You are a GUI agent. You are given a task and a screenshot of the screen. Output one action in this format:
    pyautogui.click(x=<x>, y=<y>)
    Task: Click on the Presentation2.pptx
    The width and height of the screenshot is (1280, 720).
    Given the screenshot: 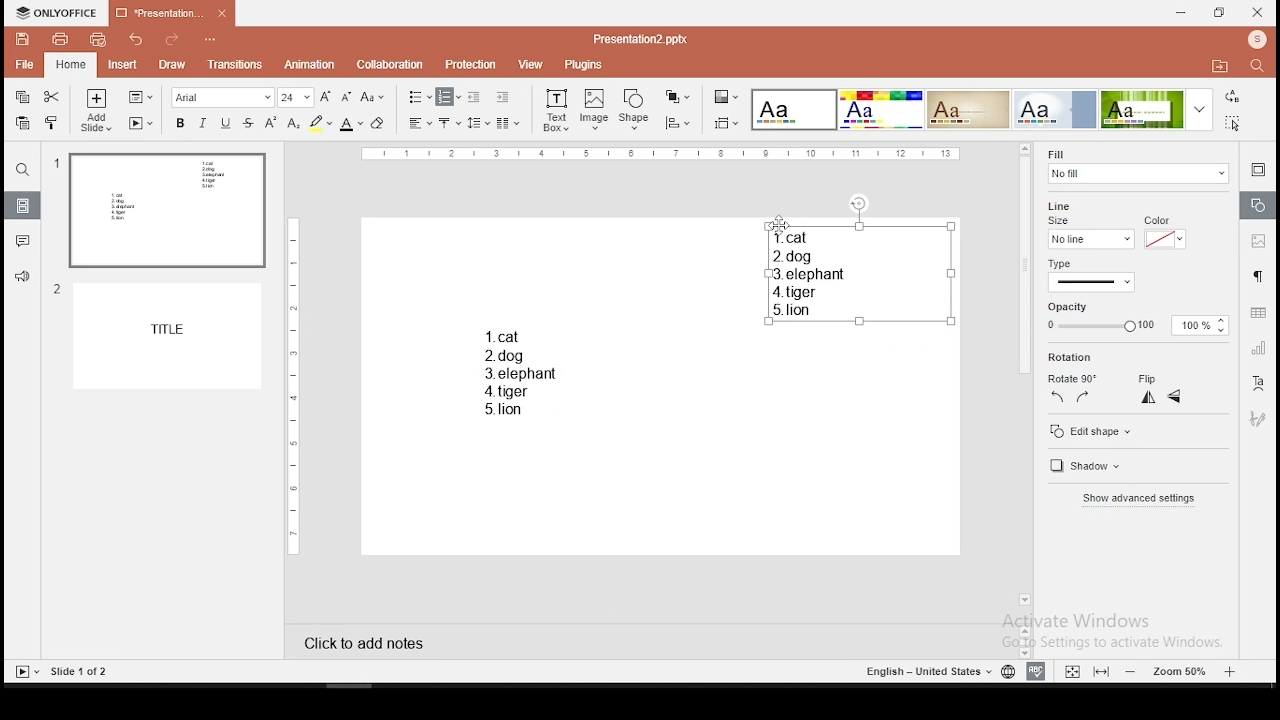 What is the action you would take?
    pyautogui.click(x=647, y=39)
    